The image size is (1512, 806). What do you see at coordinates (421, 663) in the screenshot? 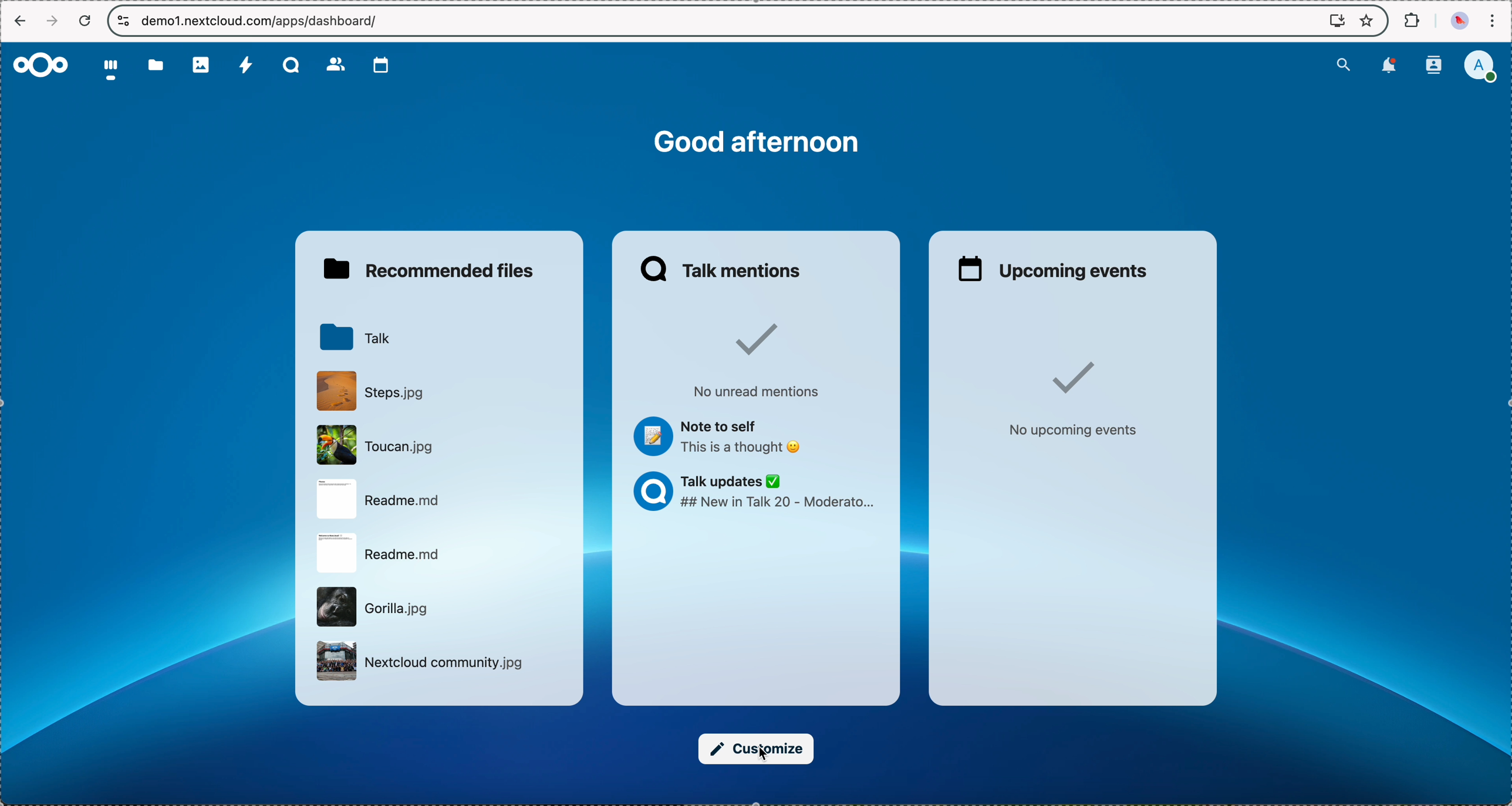
I see `file` at bounding box center [421, 663].